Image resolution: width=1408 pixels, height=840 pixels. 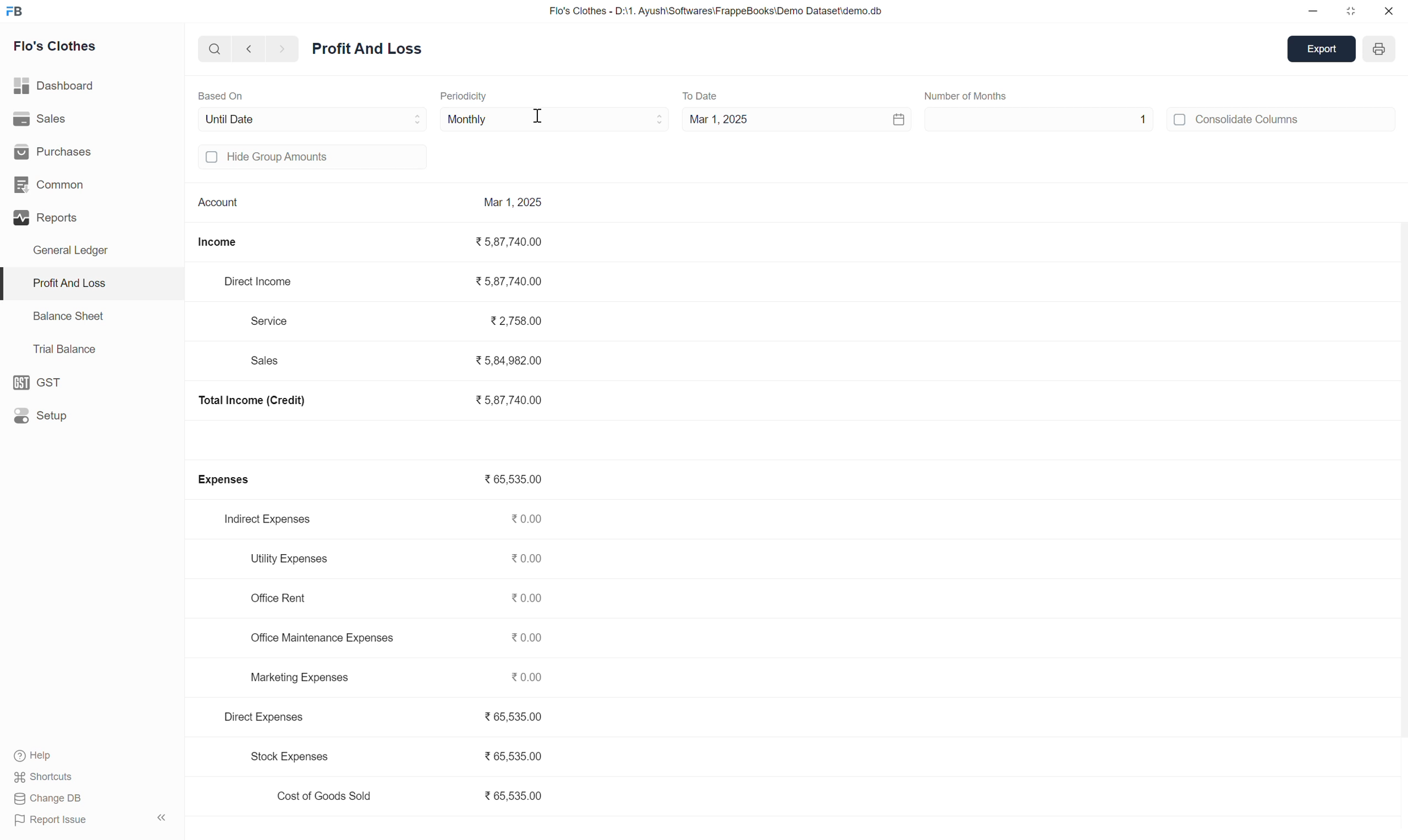 I want to click on Sales, so click(x=38, y=121).